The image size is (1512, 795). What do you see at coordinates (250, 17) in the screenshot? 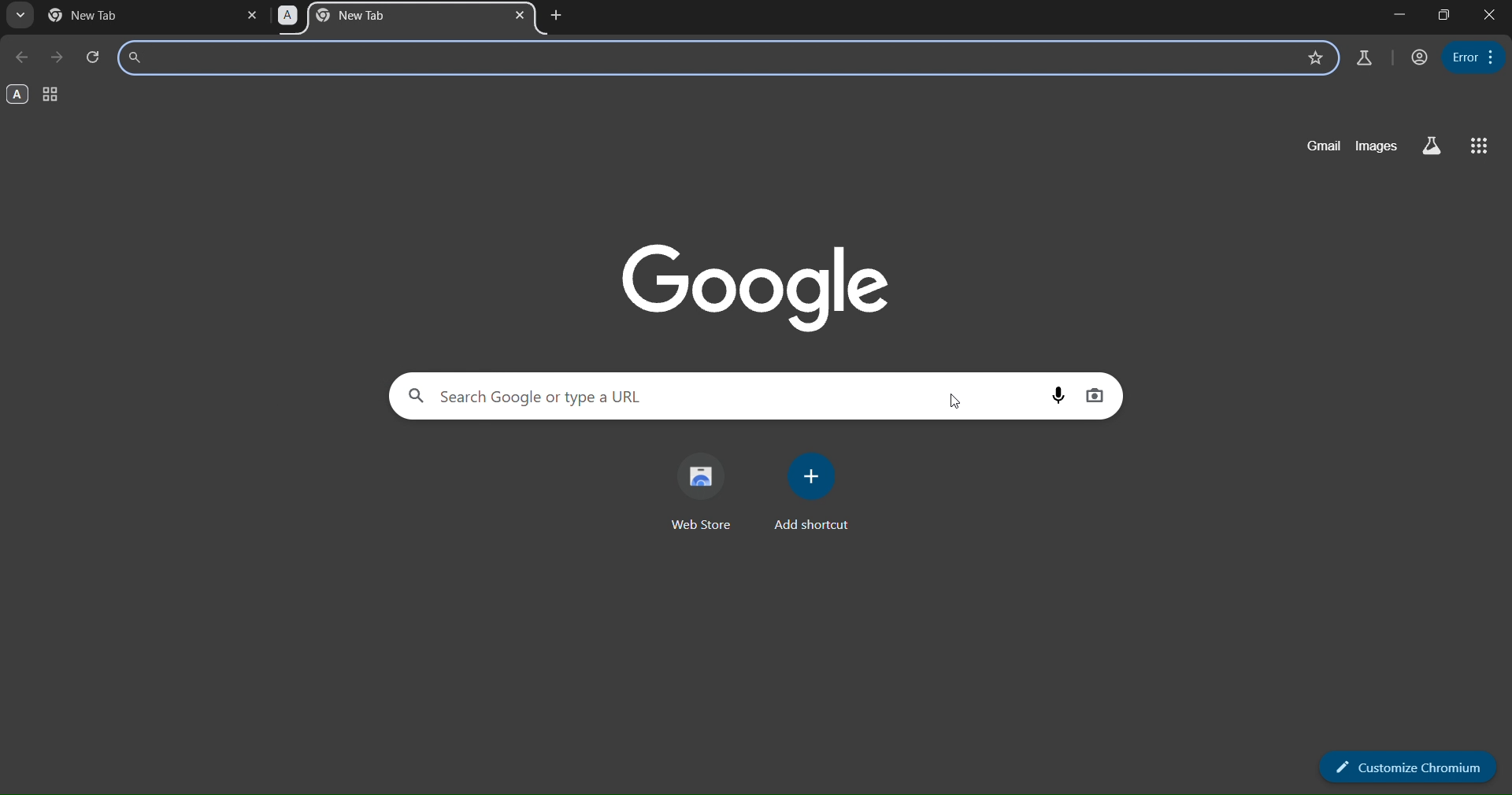
I see `close tab` at bounding box center [250, 17].